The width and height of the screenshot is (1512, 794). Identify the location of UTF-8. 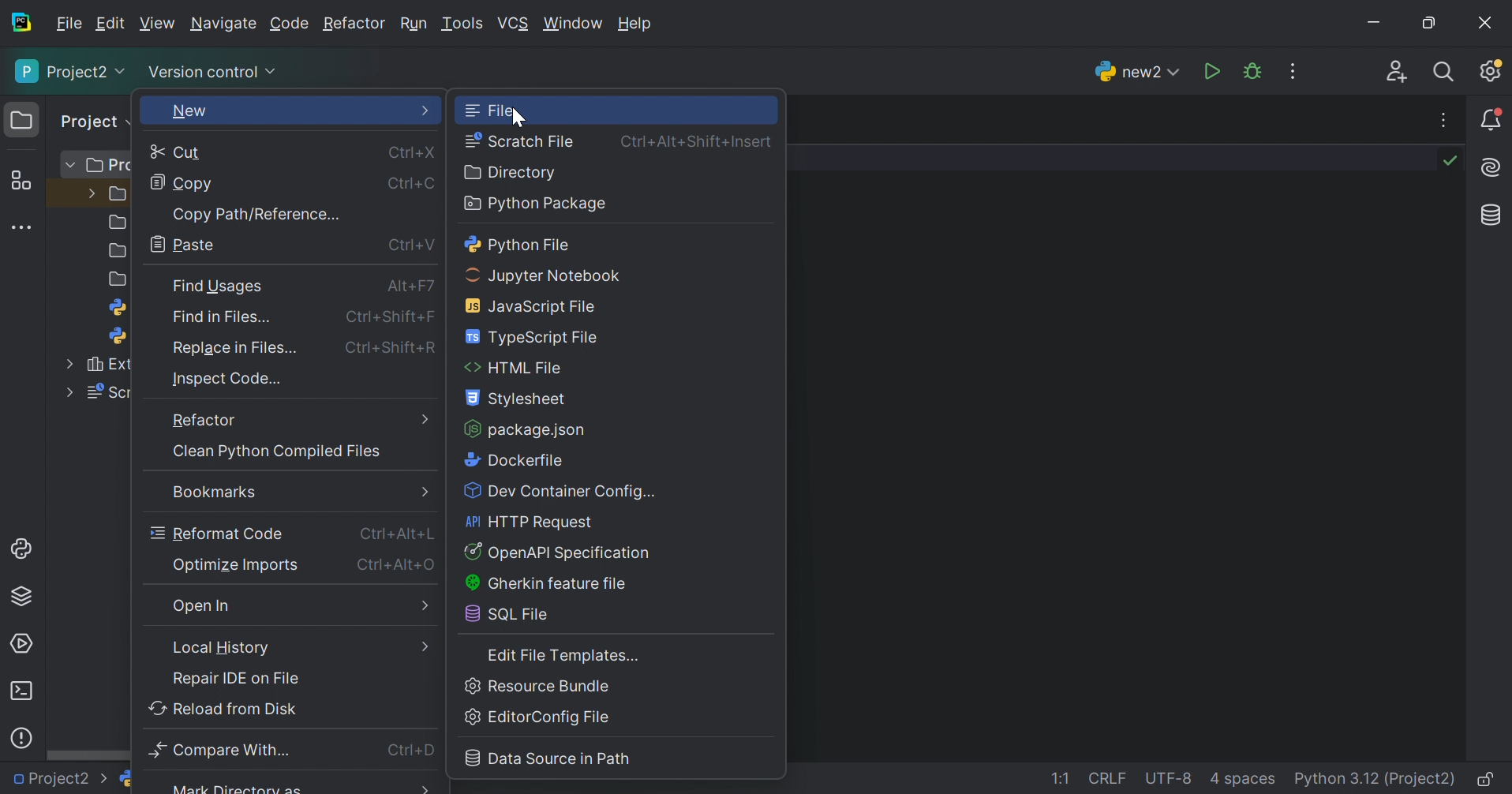
(1169, 778).